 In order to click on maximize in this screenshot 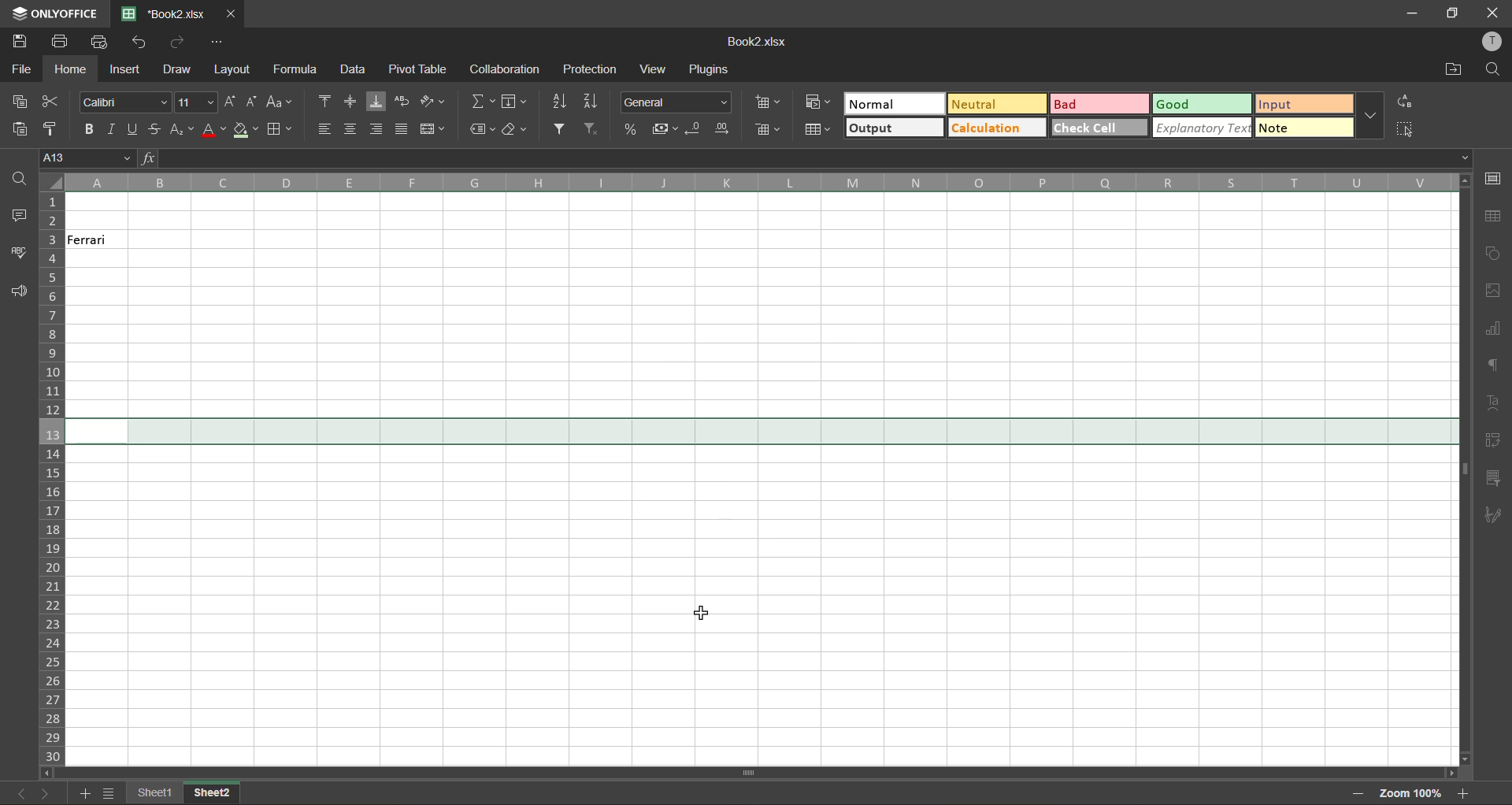, I will do `click(1455, 13)`.